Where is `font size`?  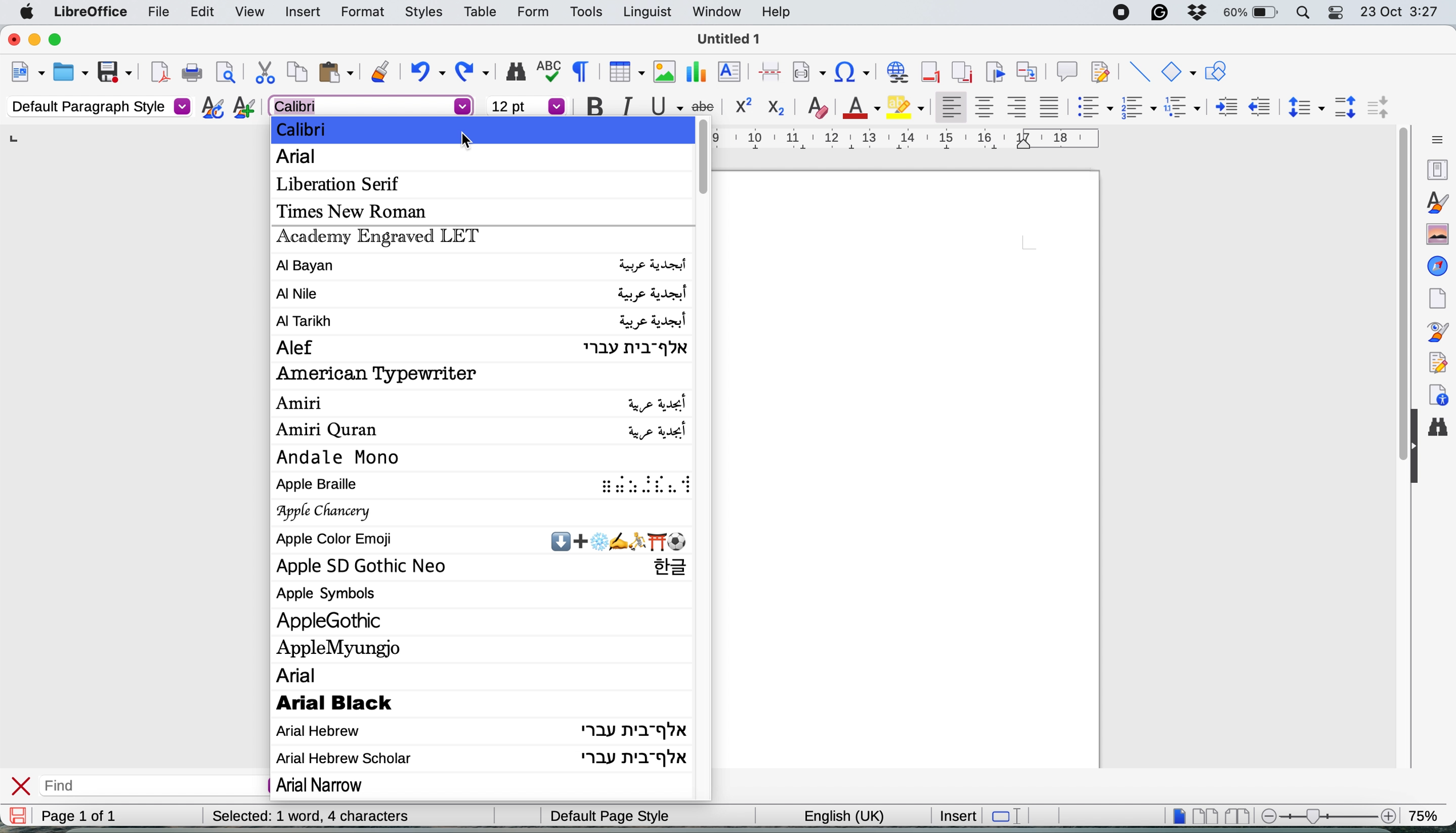 font size is located at coordinates (526, 106).